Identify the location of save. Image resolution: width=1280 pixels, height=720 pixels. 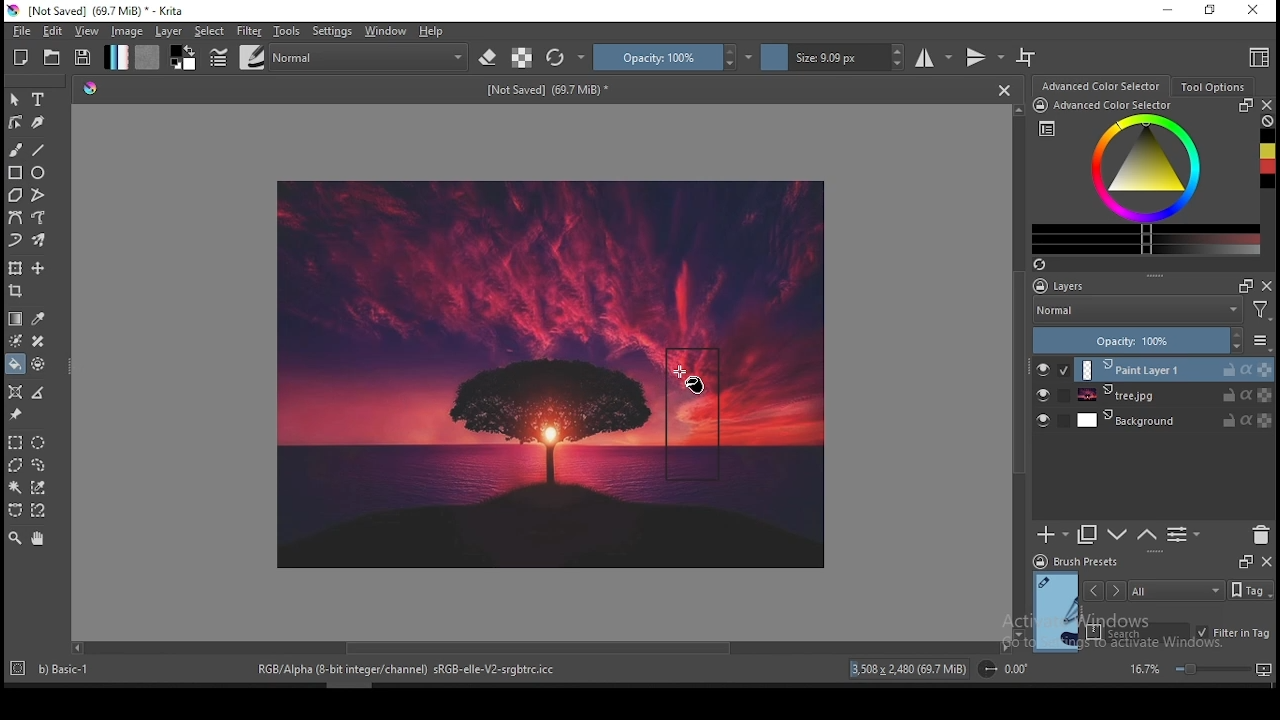
(84, 58).